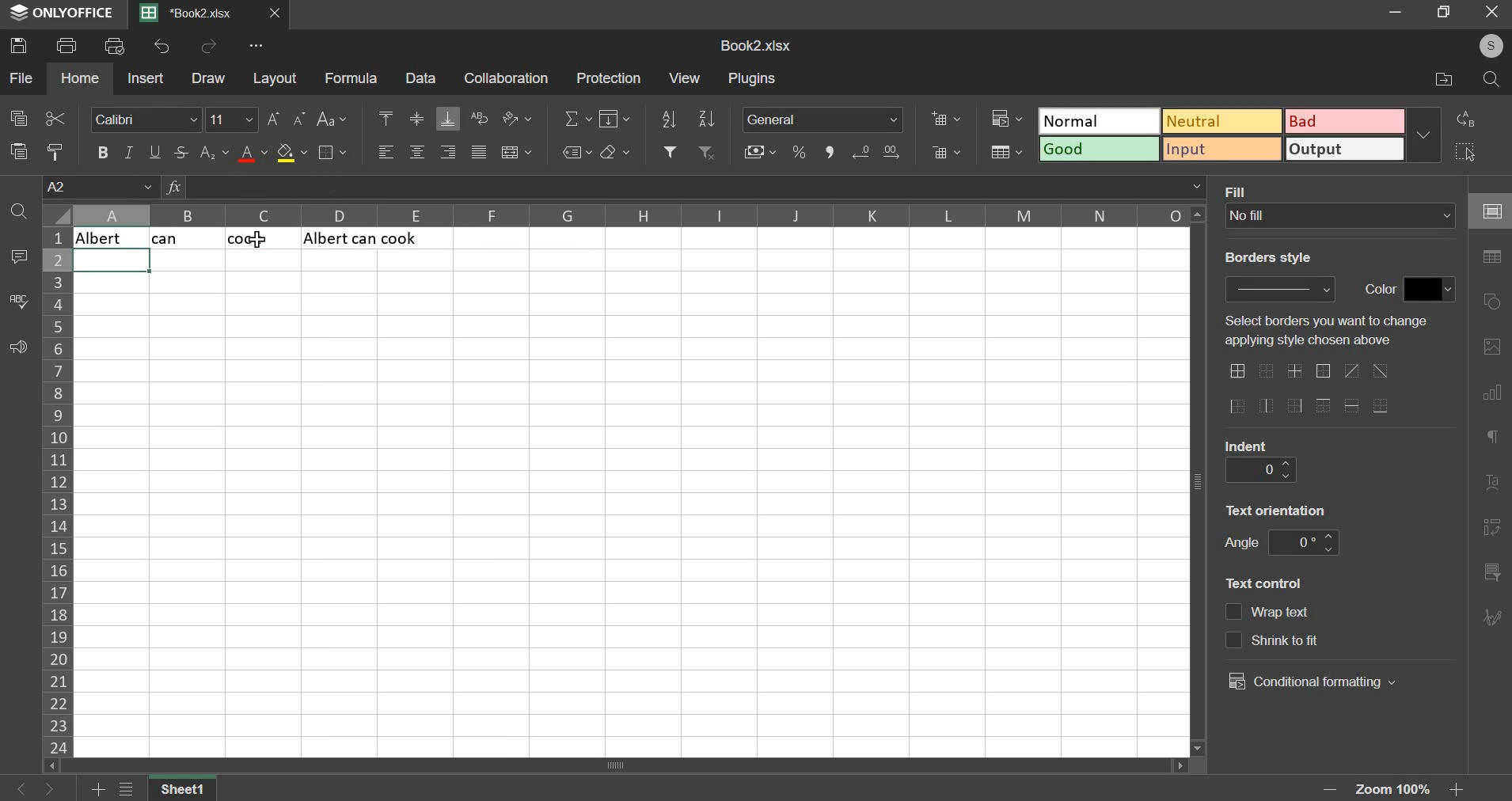 This screenshot has height=801, width=1512. What do you see at coordinates (291, 154) in the screenshot?
I see `fill color` at bounding box center [291, 154].